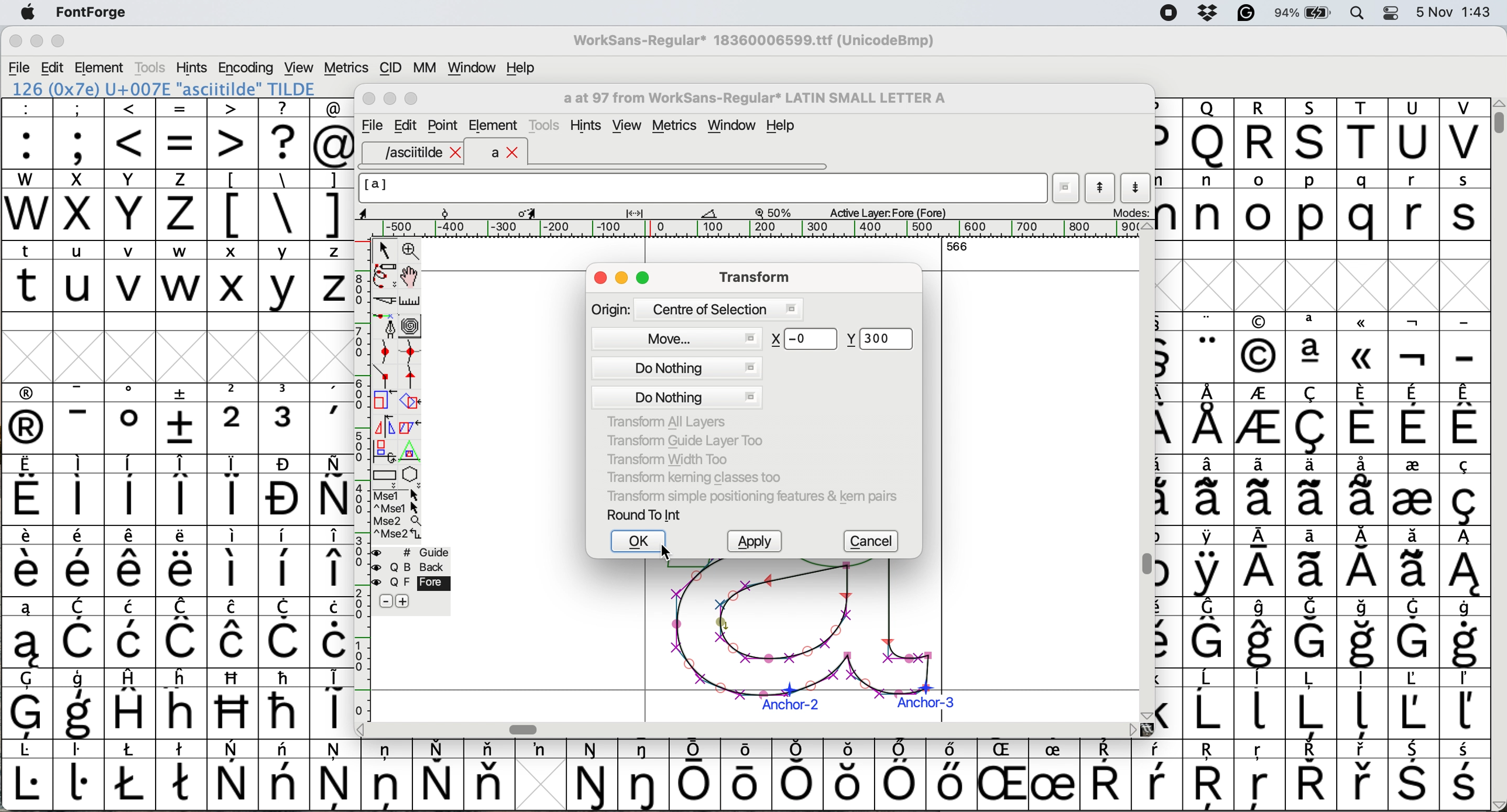 The width and height of the screenshot is (1507, 812). I want to click on symbol, so click(489, 774).